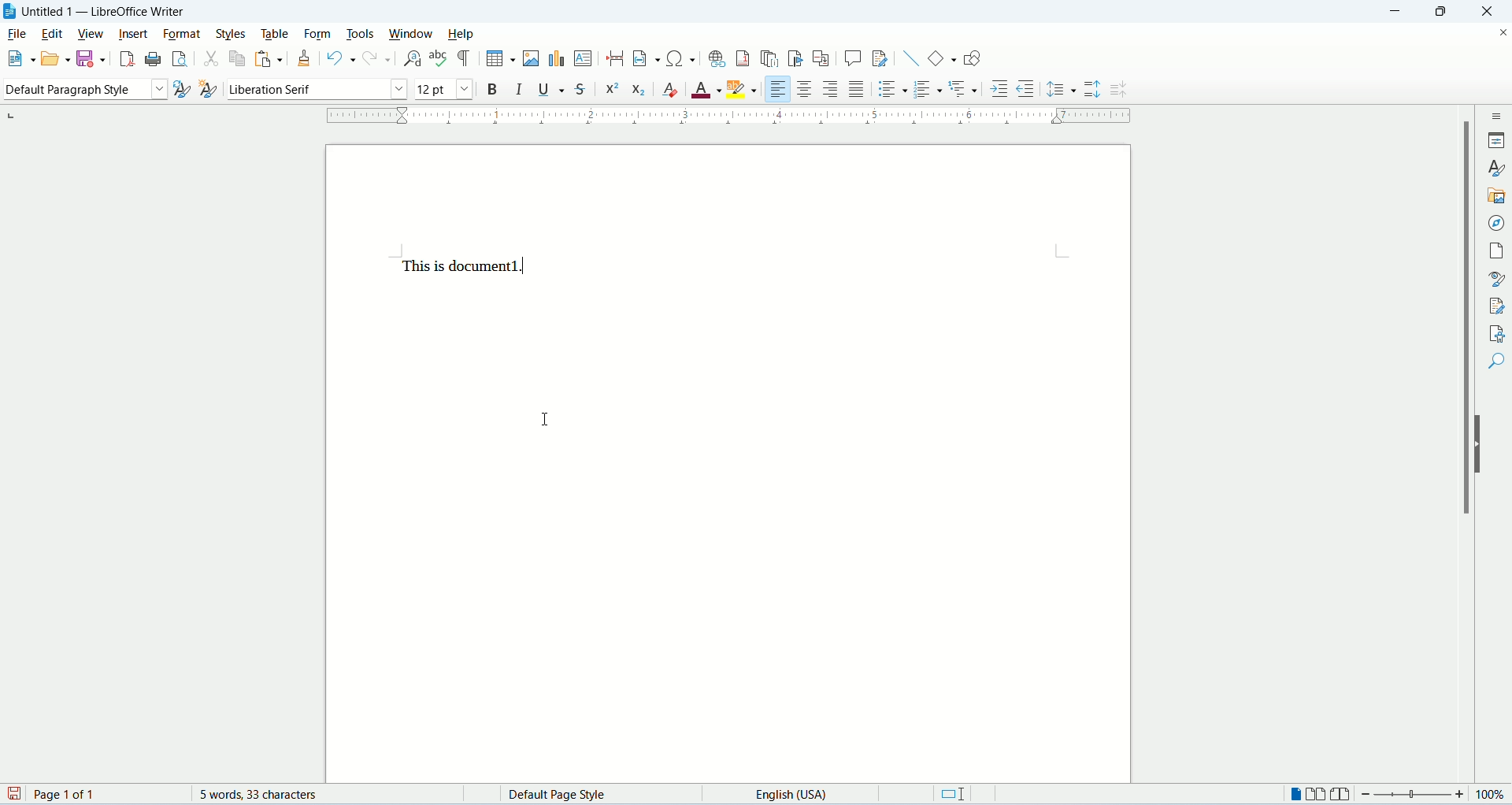  What do you see at coordinates (1118, 91) in the screenshot?
I see `decrease paragraph spacing` at bounding box center [1118, 91].